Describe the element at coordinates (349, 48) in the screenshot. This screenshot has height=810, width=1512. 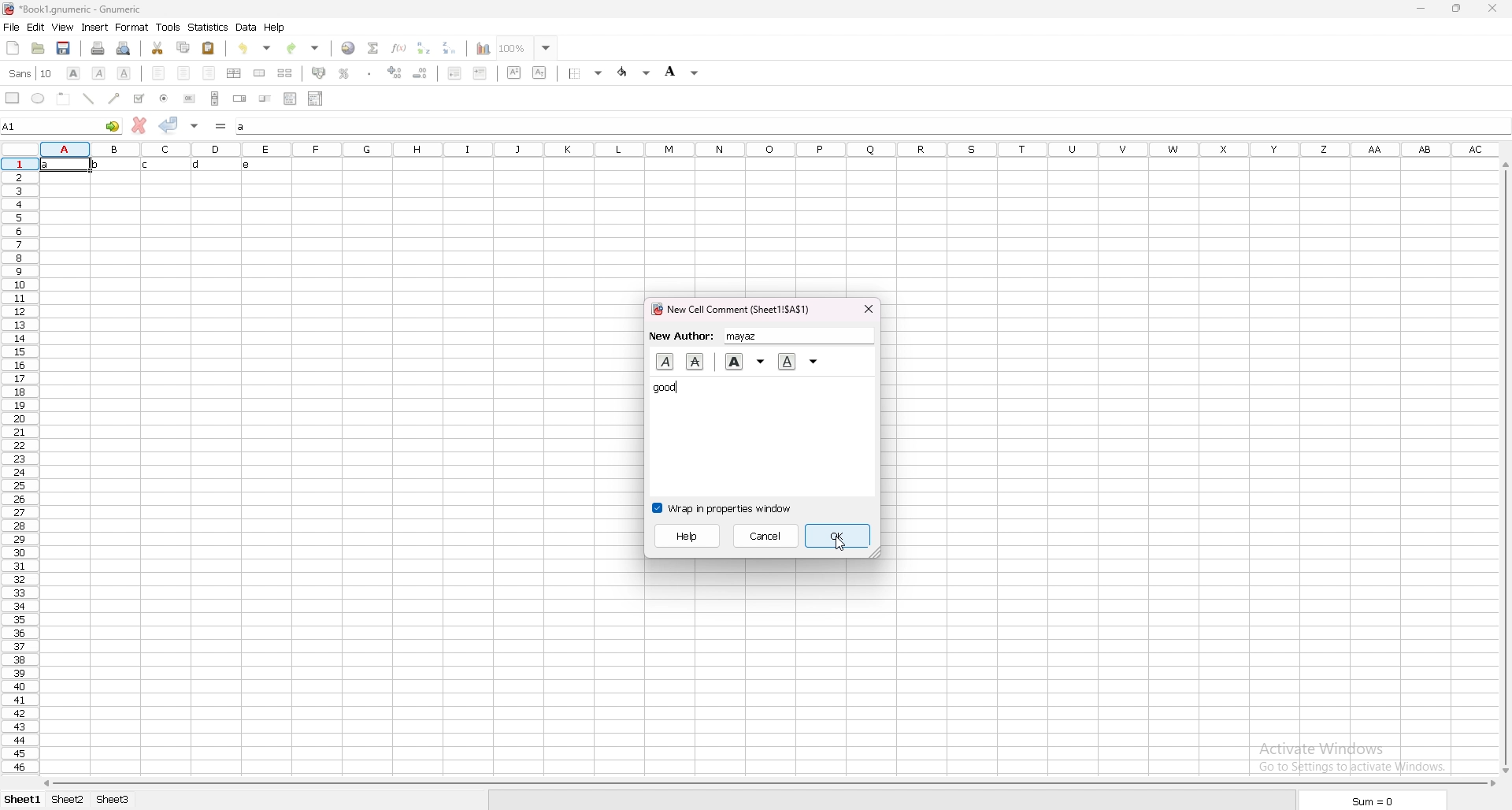
I see `hyperlink` at that location.